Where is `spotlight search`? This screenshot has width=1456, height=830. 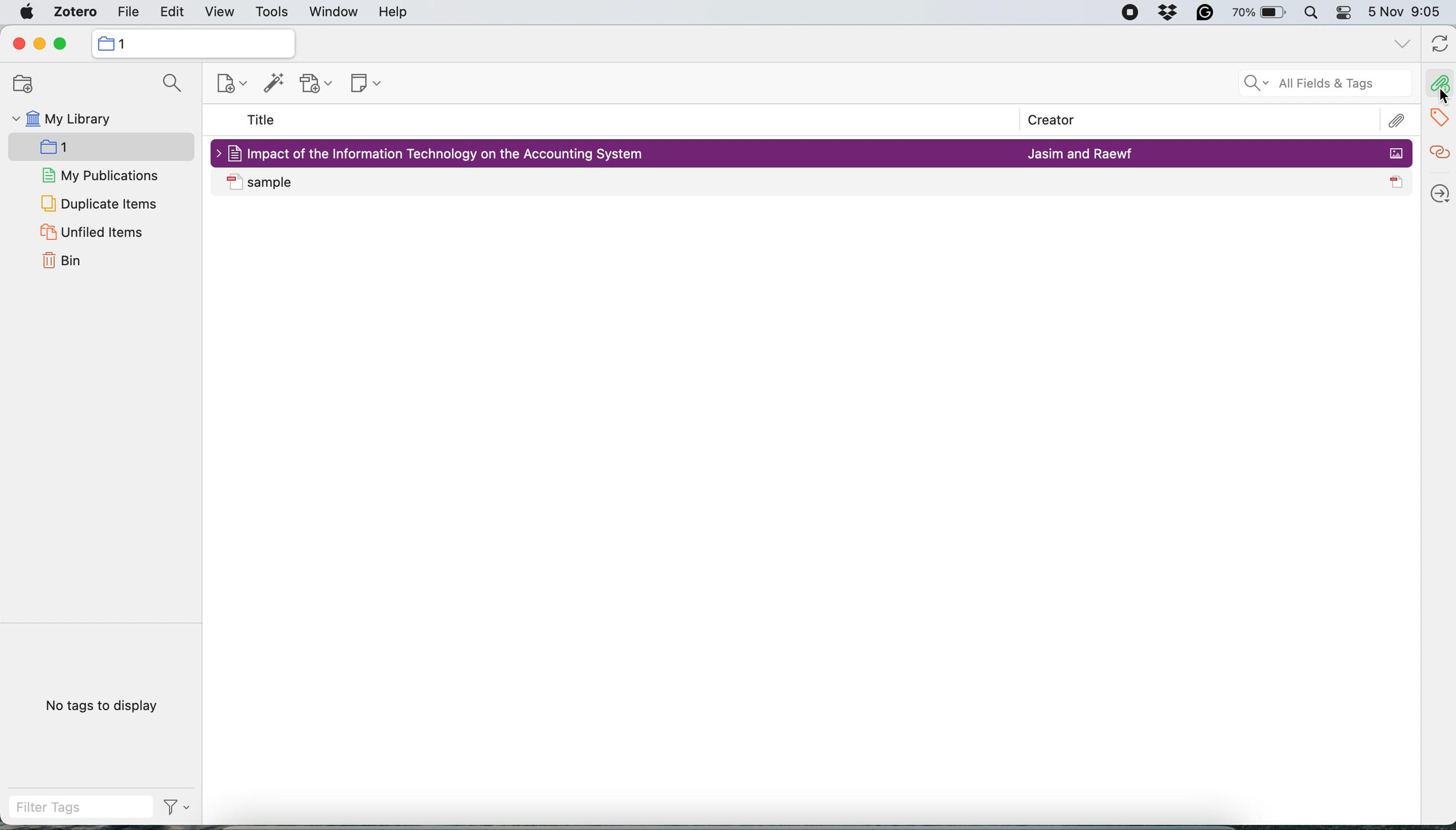 spotlight search is located at coordinates (1311, 14).